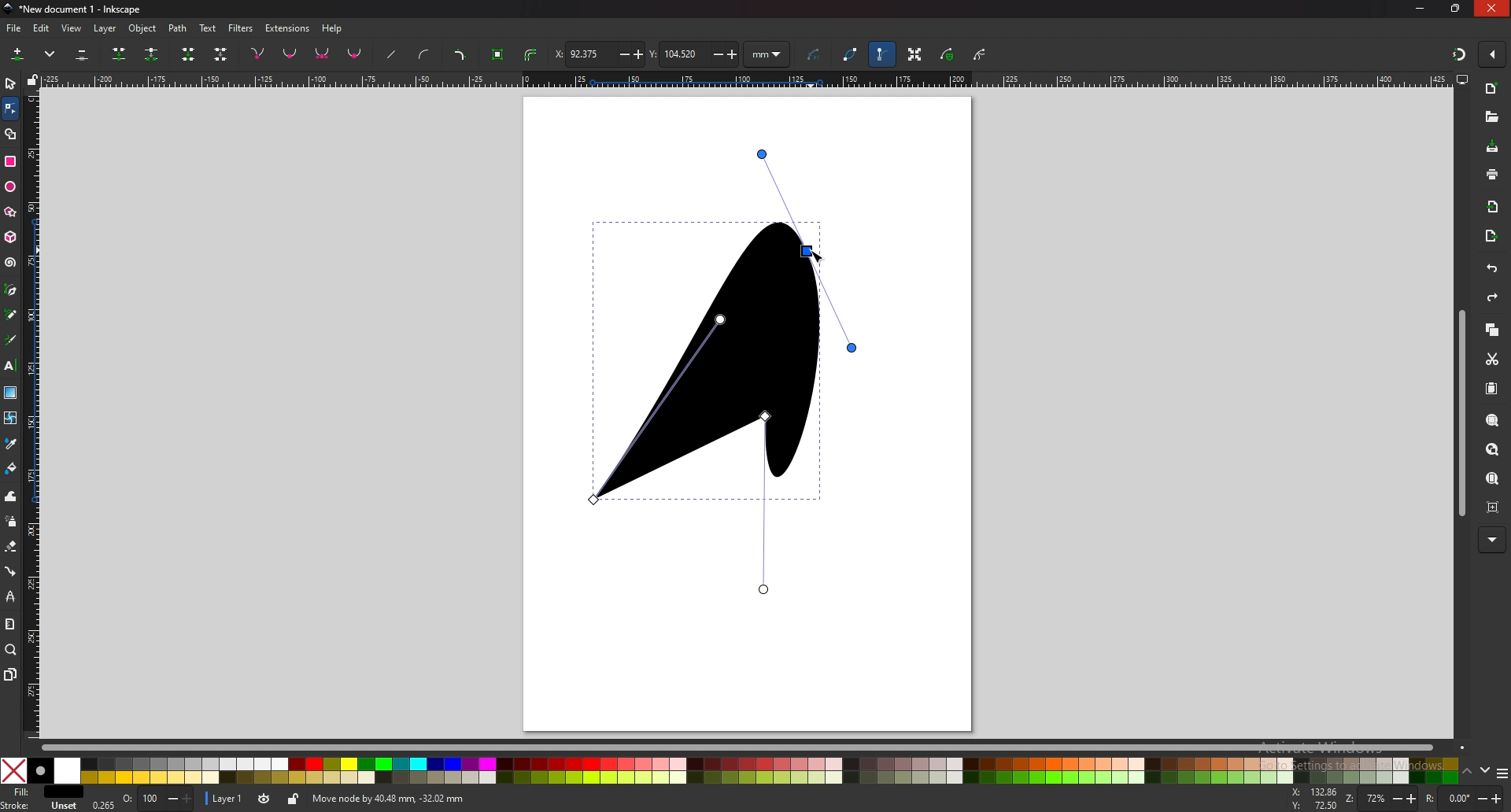 This screenshot has height=812, width=1511. Describe the element at coordinates (1492, 297) in the screenshot. I see `redo` at that location.